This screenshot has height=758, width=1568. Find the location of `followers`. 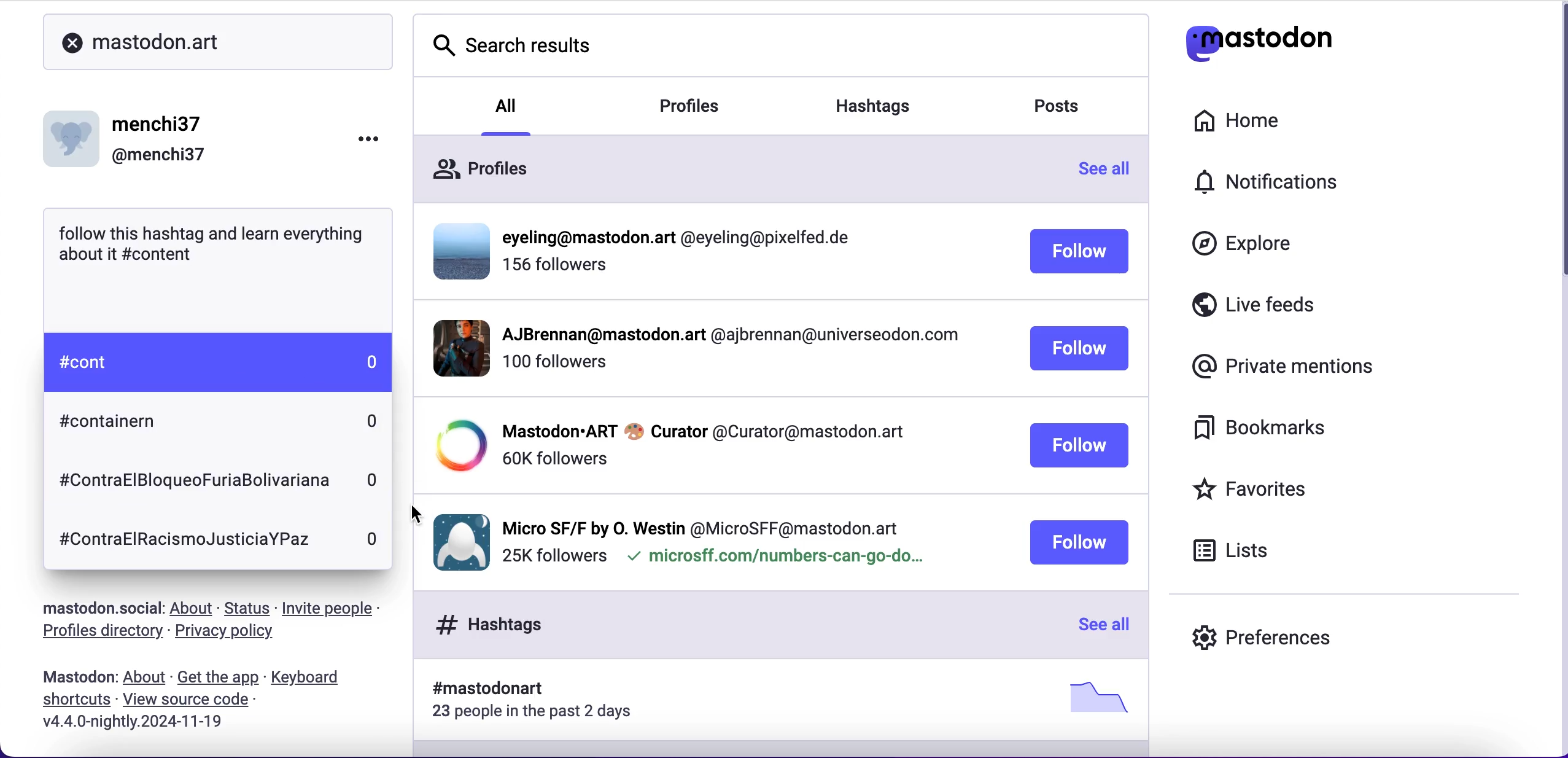

followers is located at coordinates (557, 270).